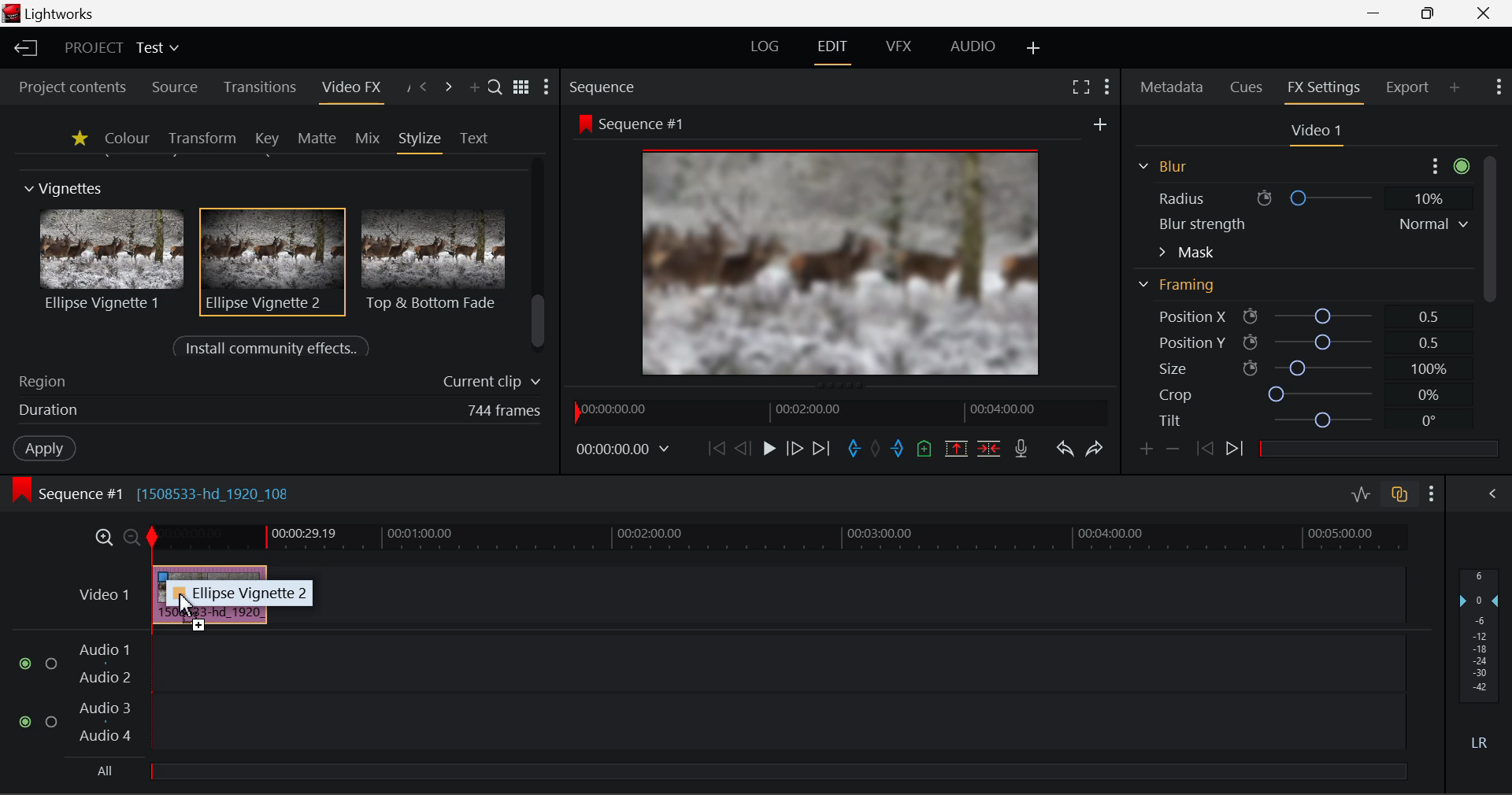  What do you see at coordinates (435, 258) in the screenshot?
I see `Top & Bottom Fade` at bounding box center [435, 258].